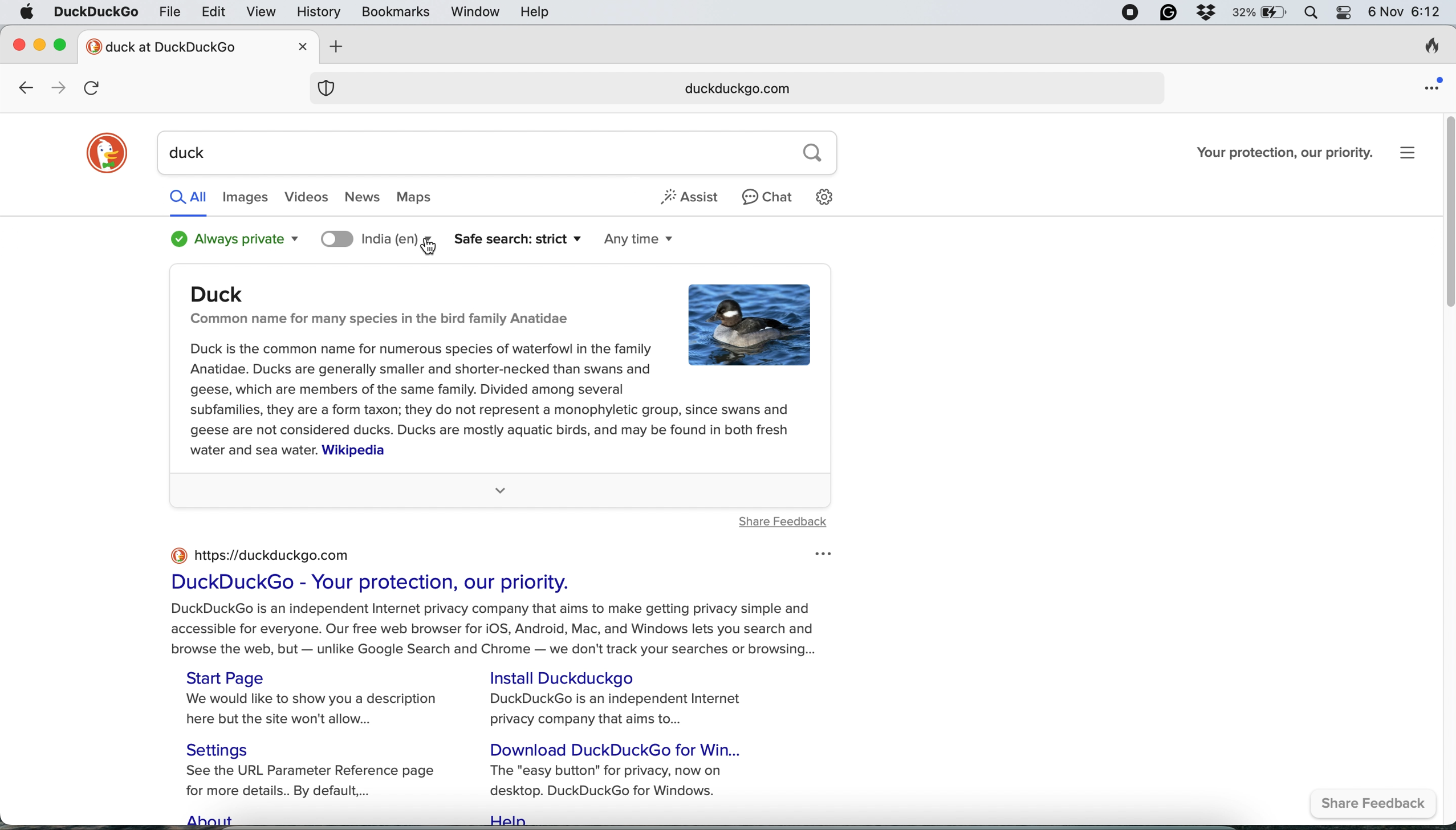 The height and width of the screenshot is (830, 1456). I want to click on water and sea water, so click(249, 450).